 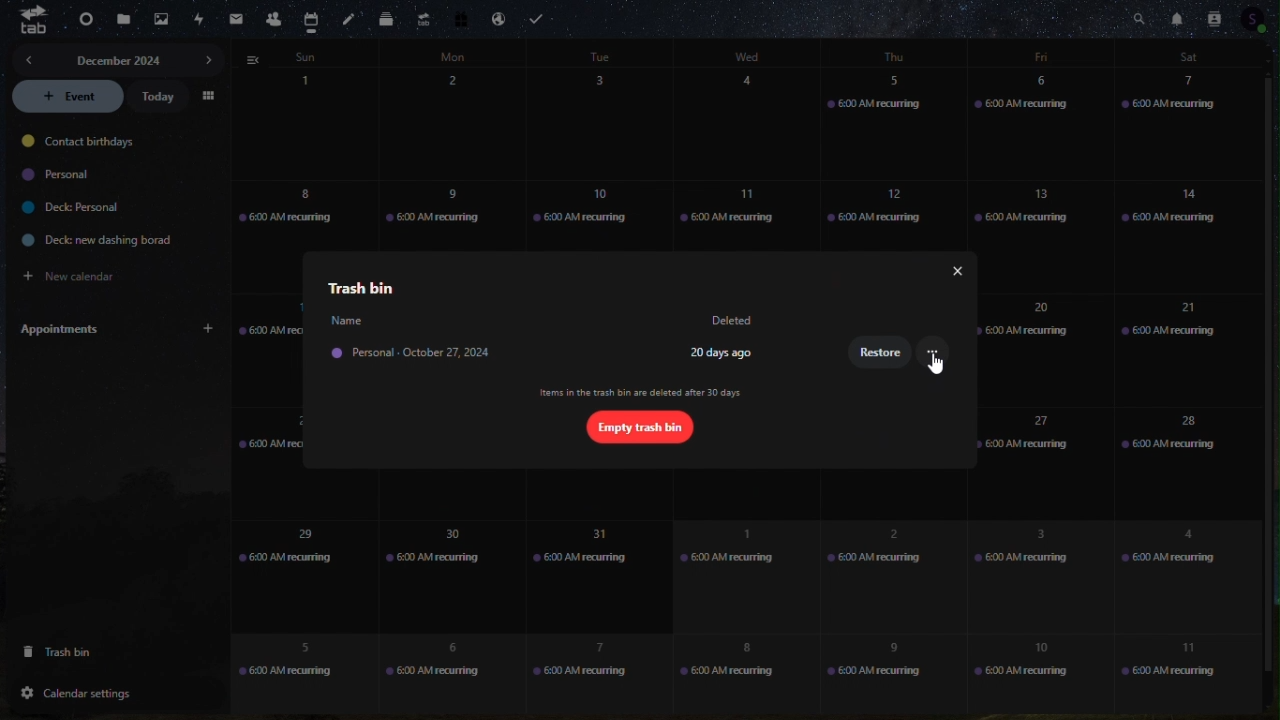 I want to click on 15, so click(x=267, y=349).